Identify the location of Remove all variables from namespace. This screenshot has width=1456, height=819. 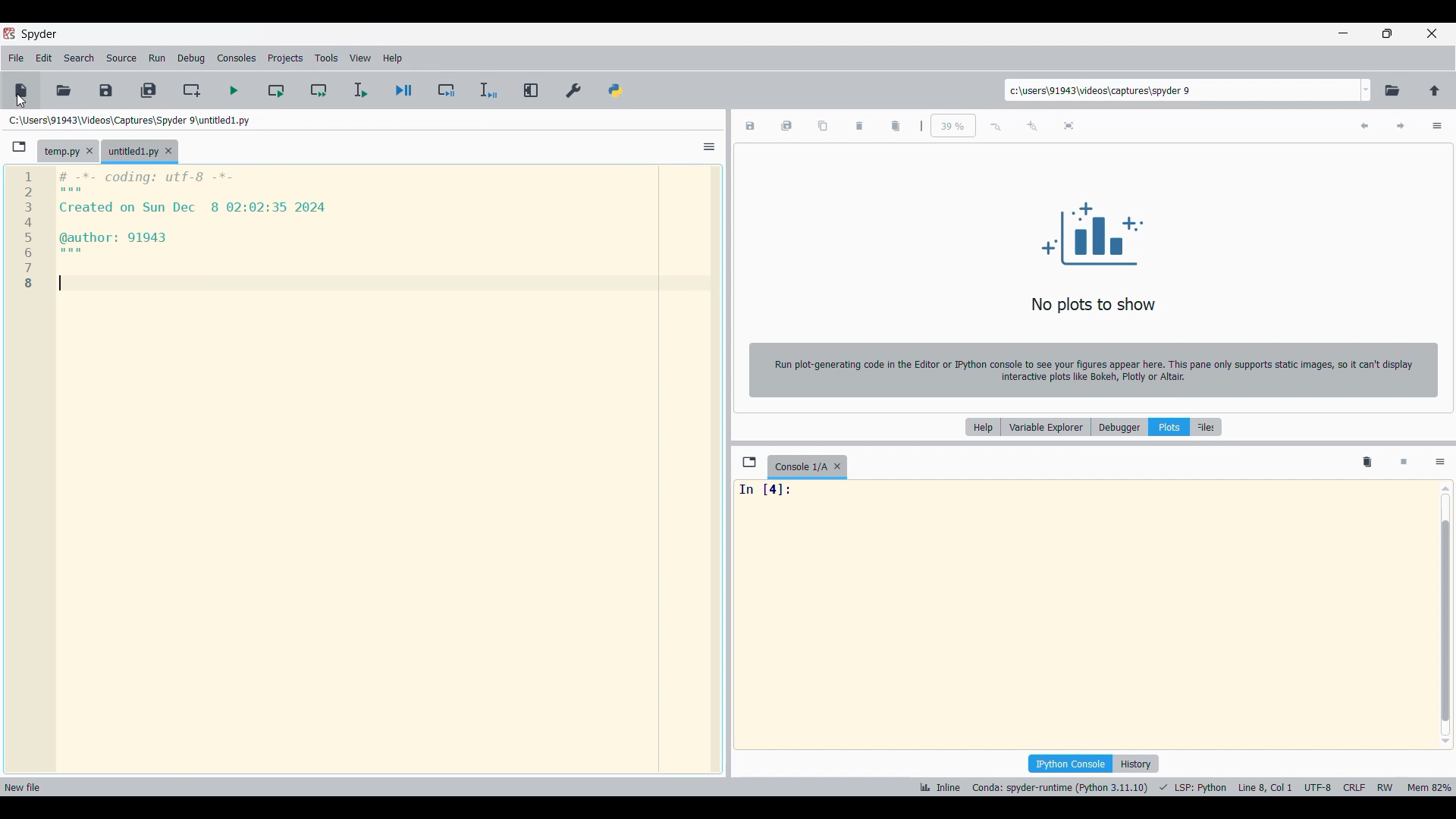
(1367, 463).